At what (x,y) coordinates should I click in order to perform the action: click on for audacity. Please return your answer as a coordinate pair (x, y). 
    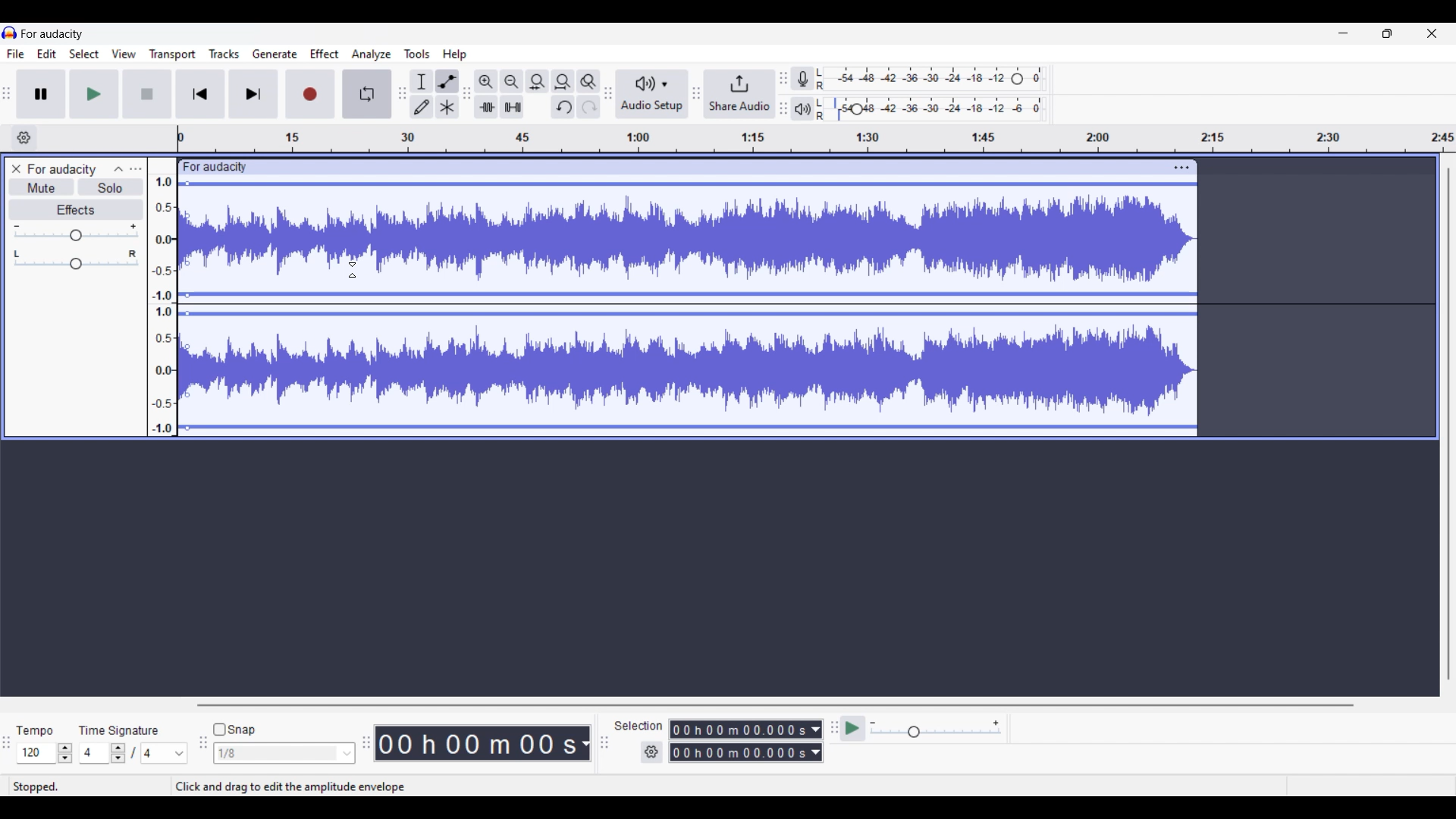
    Looking at the image, I should click on (215, 168).